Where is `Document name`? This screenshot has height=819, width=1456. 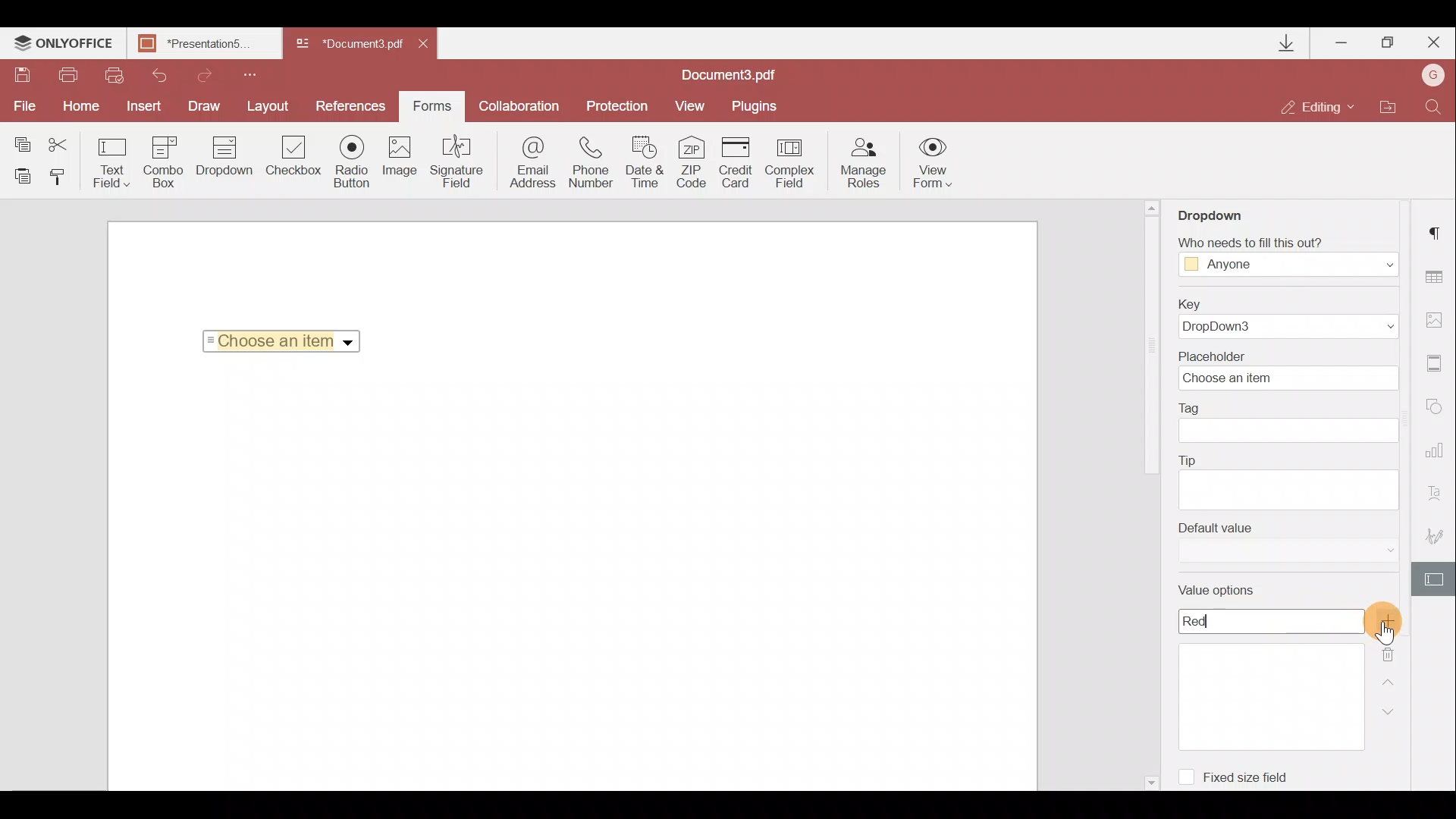
Document name is located at coordinates (736, 74).